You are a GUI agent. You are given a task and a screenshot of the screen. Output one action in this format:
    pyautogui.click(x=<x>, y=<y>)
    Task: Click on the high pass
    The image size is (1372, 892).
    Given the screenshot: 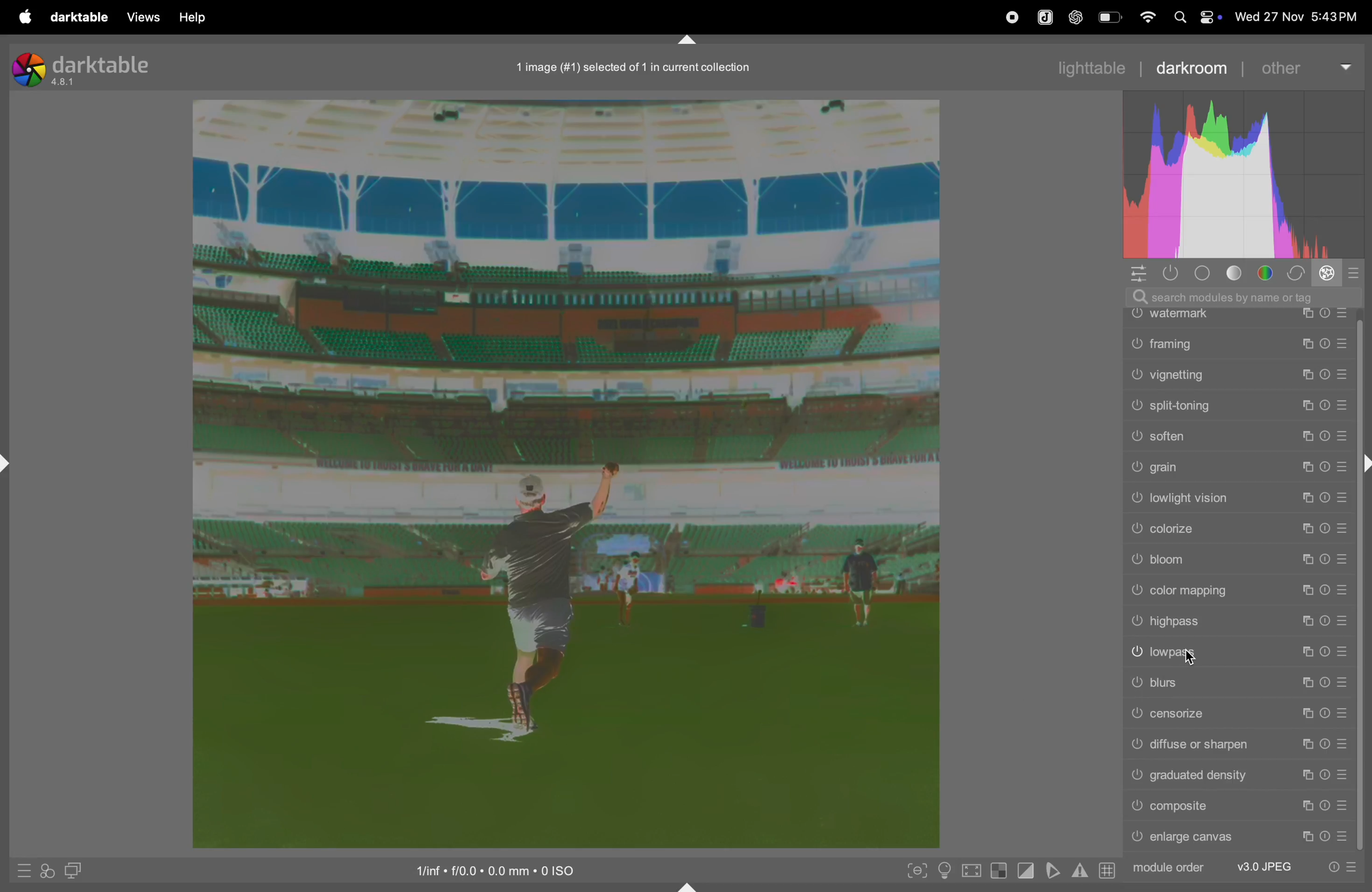 What is the action you would take?
    pyautogui.click(x=1240, y=623)
    